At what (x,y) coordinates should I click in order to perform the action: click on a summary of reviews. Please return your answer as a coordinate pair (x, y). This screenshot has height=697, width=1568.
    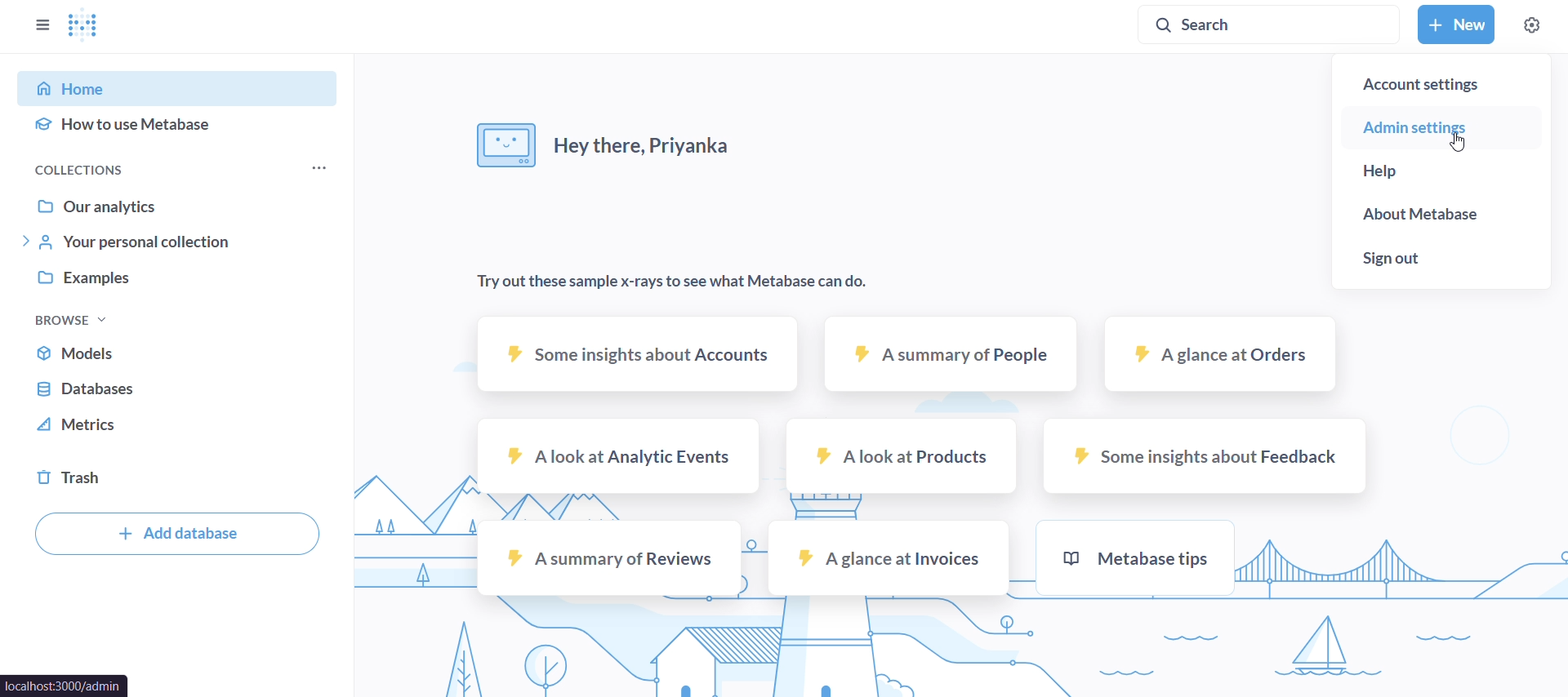
    Looking at the image, I should click on (608, 557).